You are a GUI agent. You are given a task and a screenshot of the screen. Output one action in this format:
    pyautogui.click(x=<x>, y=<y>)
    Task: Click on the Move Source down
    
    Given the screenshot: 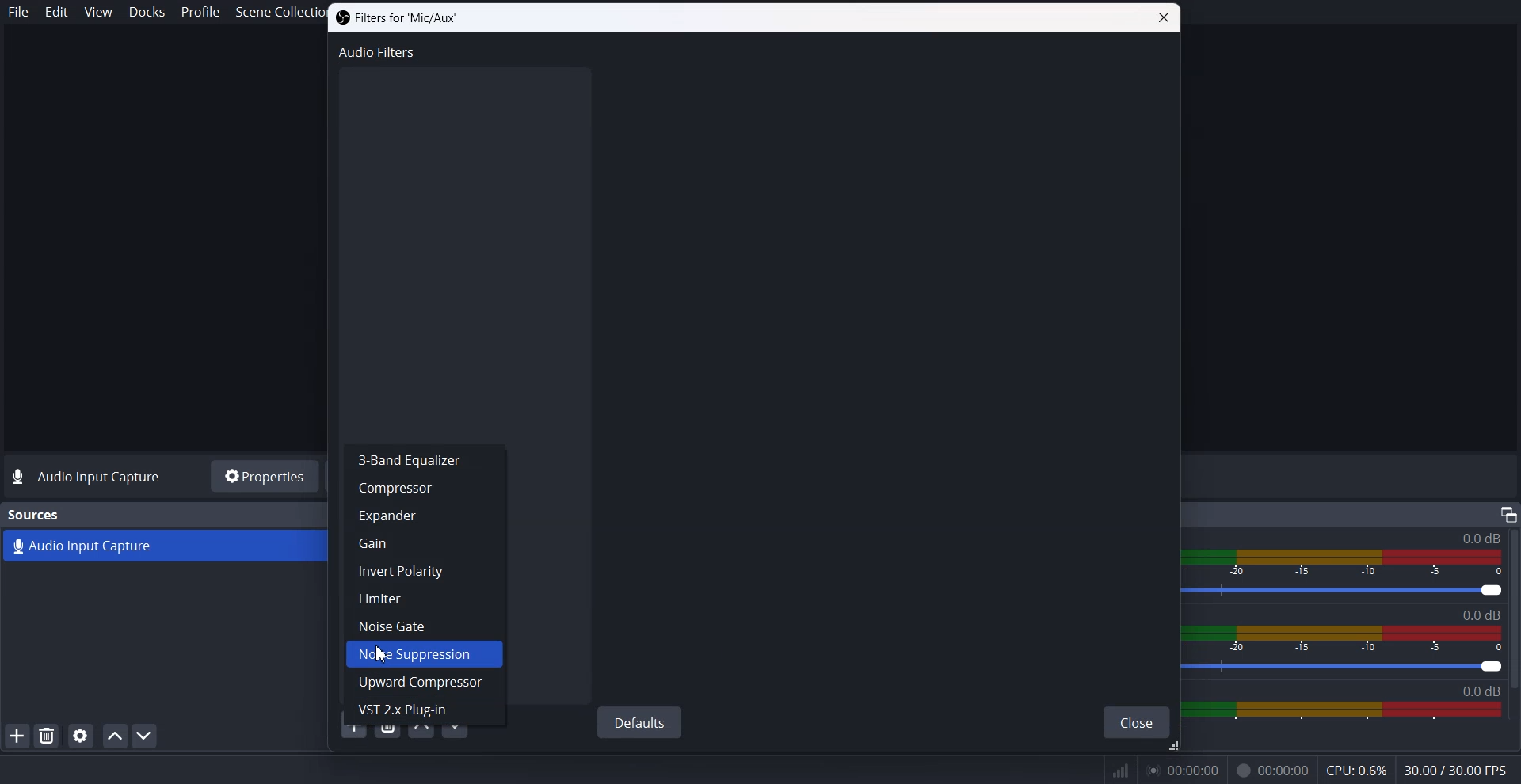 What is the action you would take?
    pyautogui.click(x=145, y=735)
    